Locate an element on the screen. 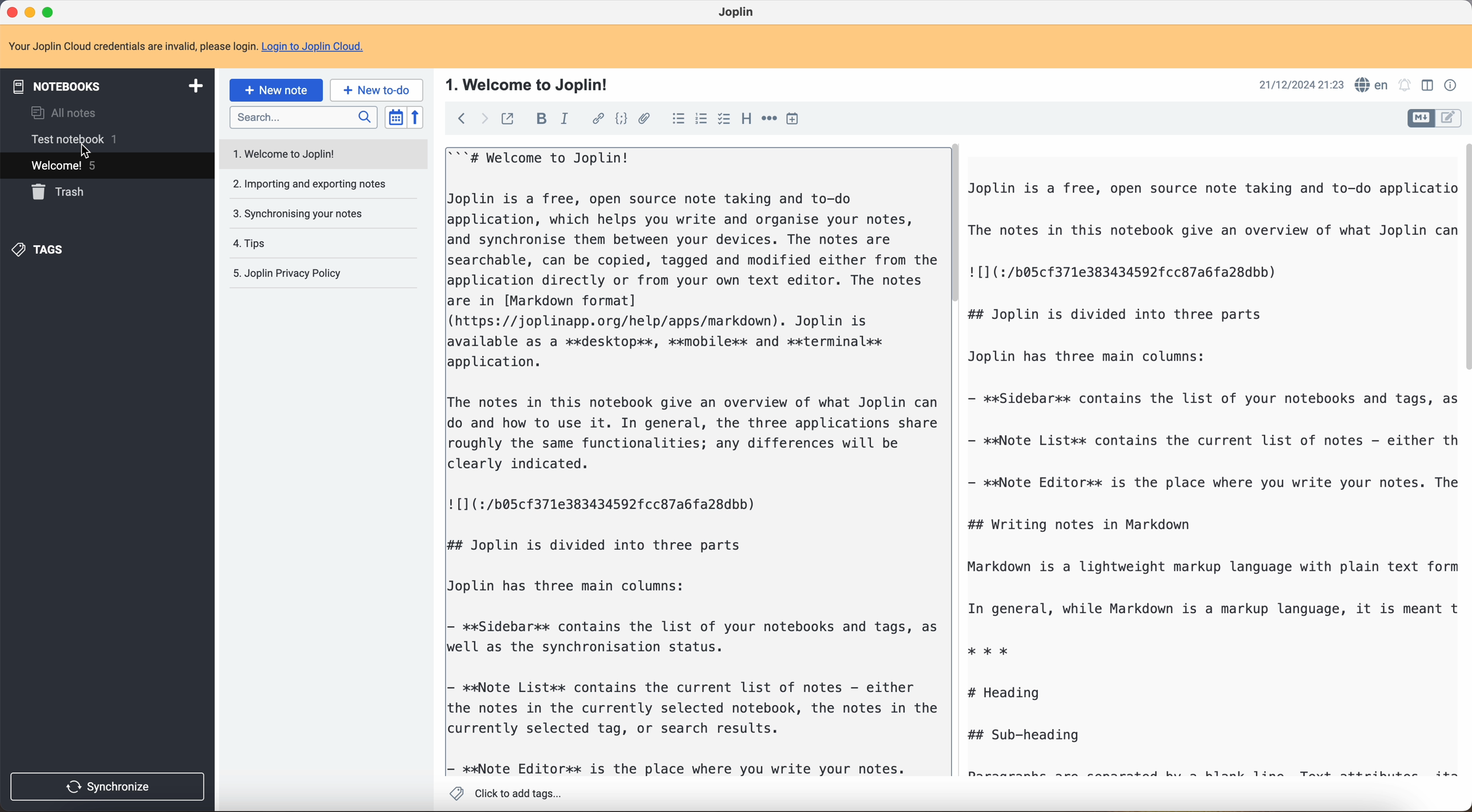 This screenshot has height=812, width=1472. attach file is located at coordinates (646, 119).